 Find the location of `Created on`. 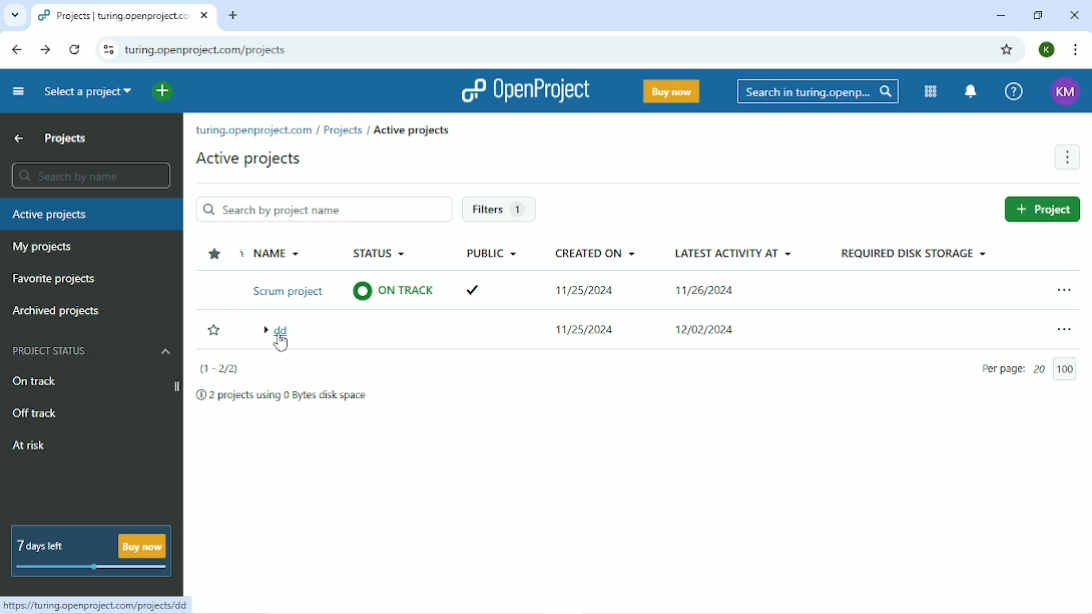

Created on is located at coordinates (598, 252).